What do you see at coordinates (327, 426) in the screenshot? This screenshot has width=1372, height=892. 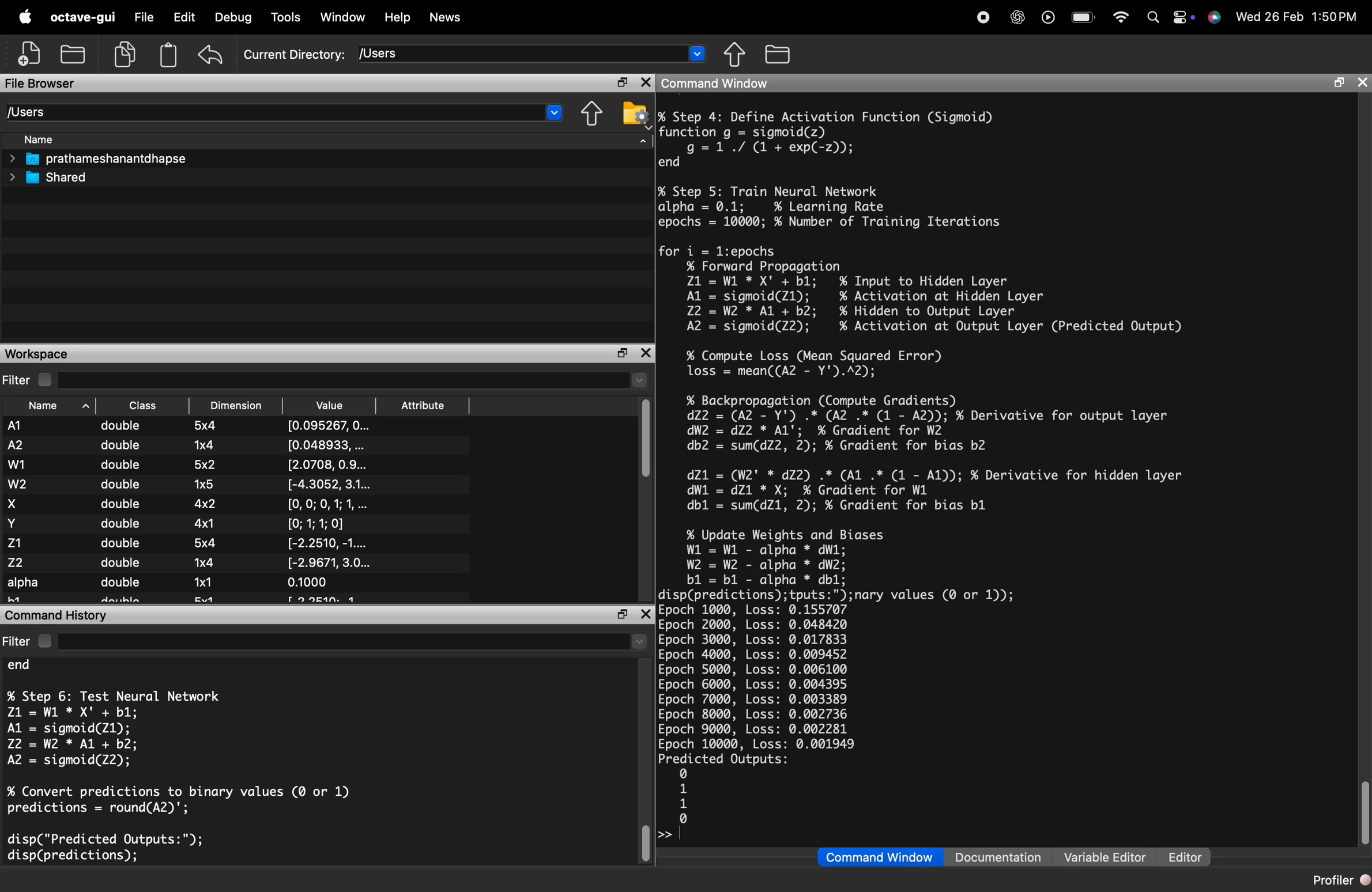 I see `[0.095267, 0...` at bounding box center [327, 426].